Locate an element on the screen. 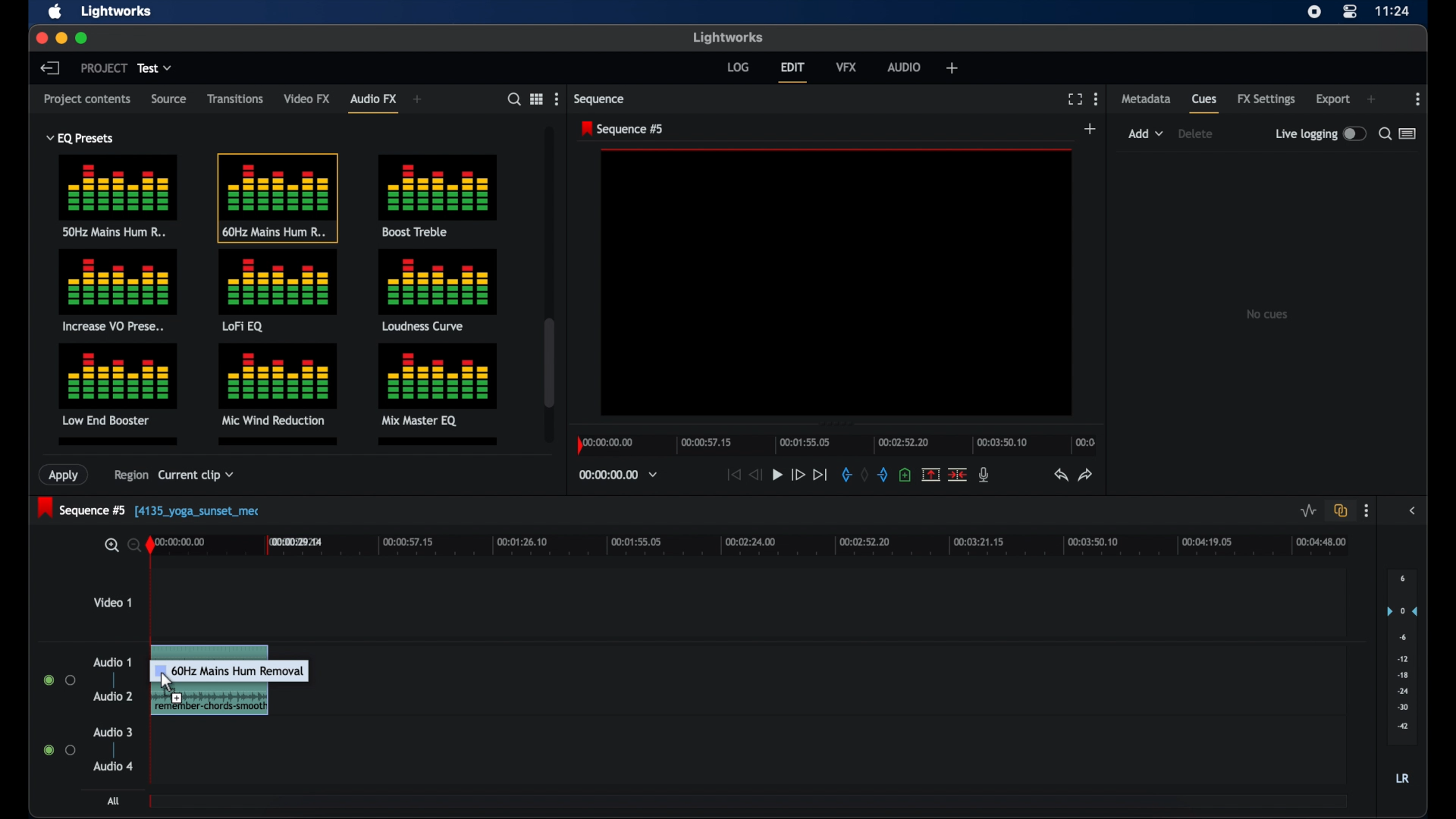 This screenshot has width=1456, height=819. region is located at coordinates (126, 478).